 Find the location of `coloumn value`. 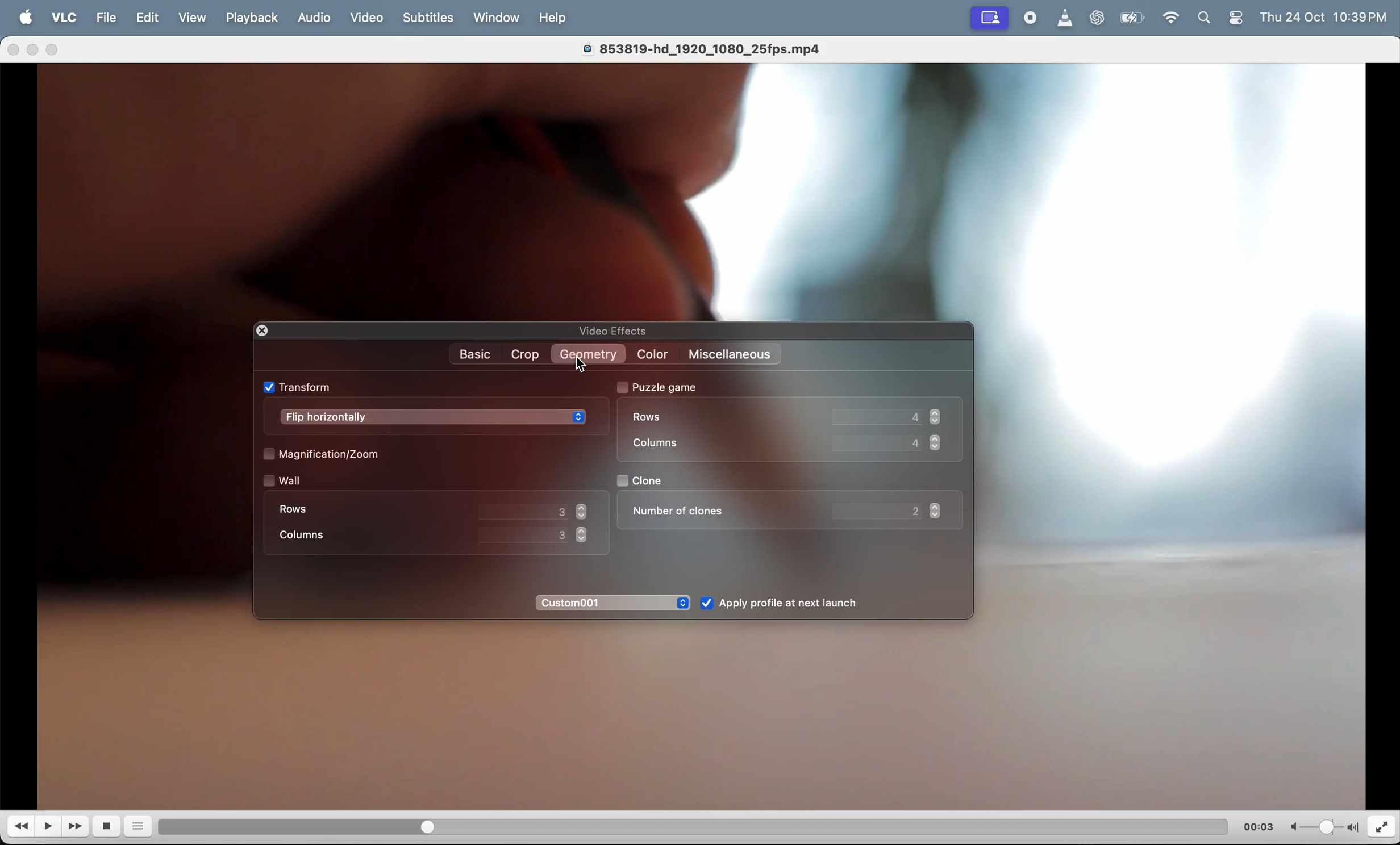

coloumn value is located at coordinates (892, 442).